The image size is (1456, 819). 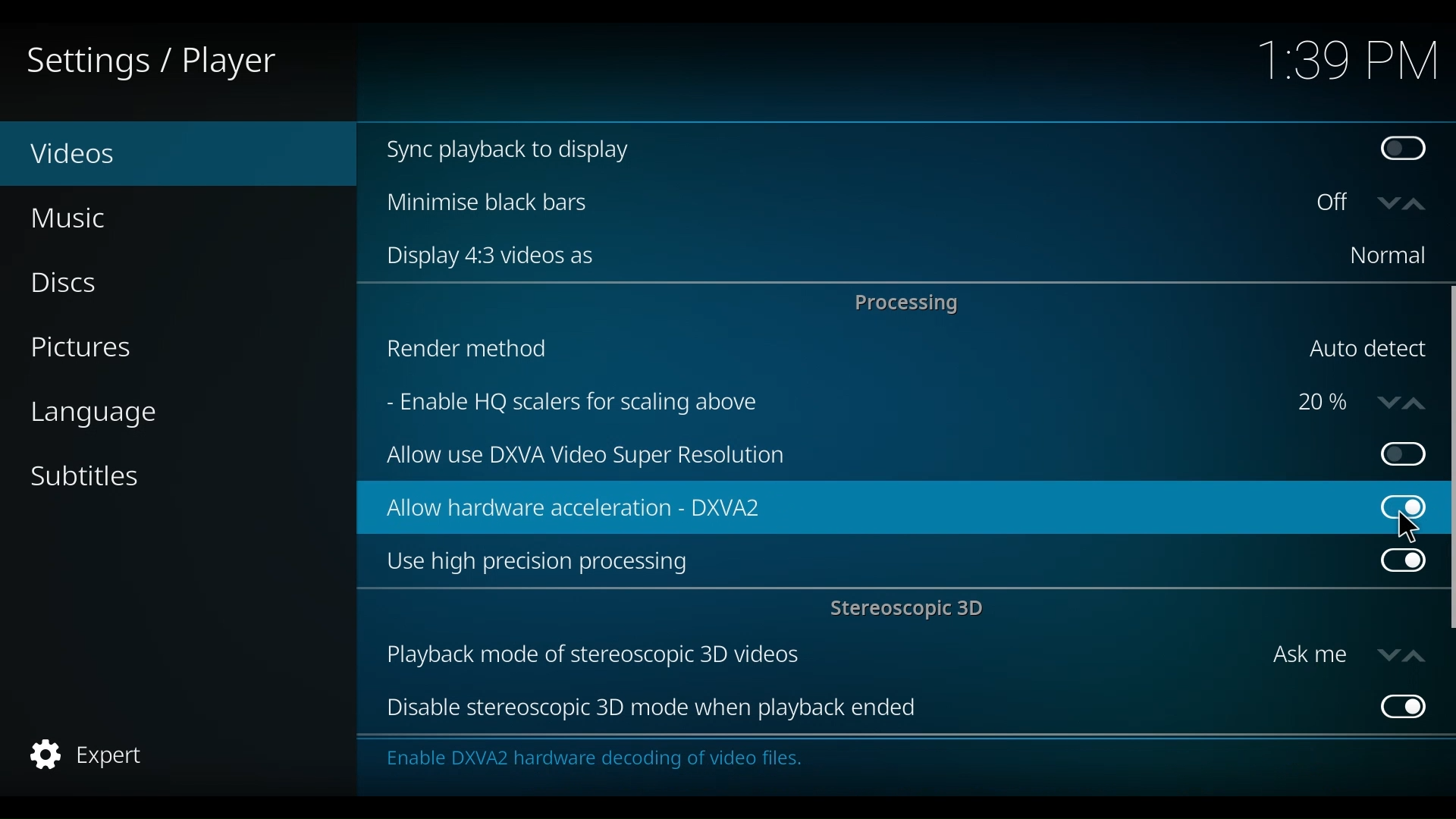 What do you see at coordinates (858, 151) in the screenshot?
I see `Sync playback to display` at bounding box center [858, 151].